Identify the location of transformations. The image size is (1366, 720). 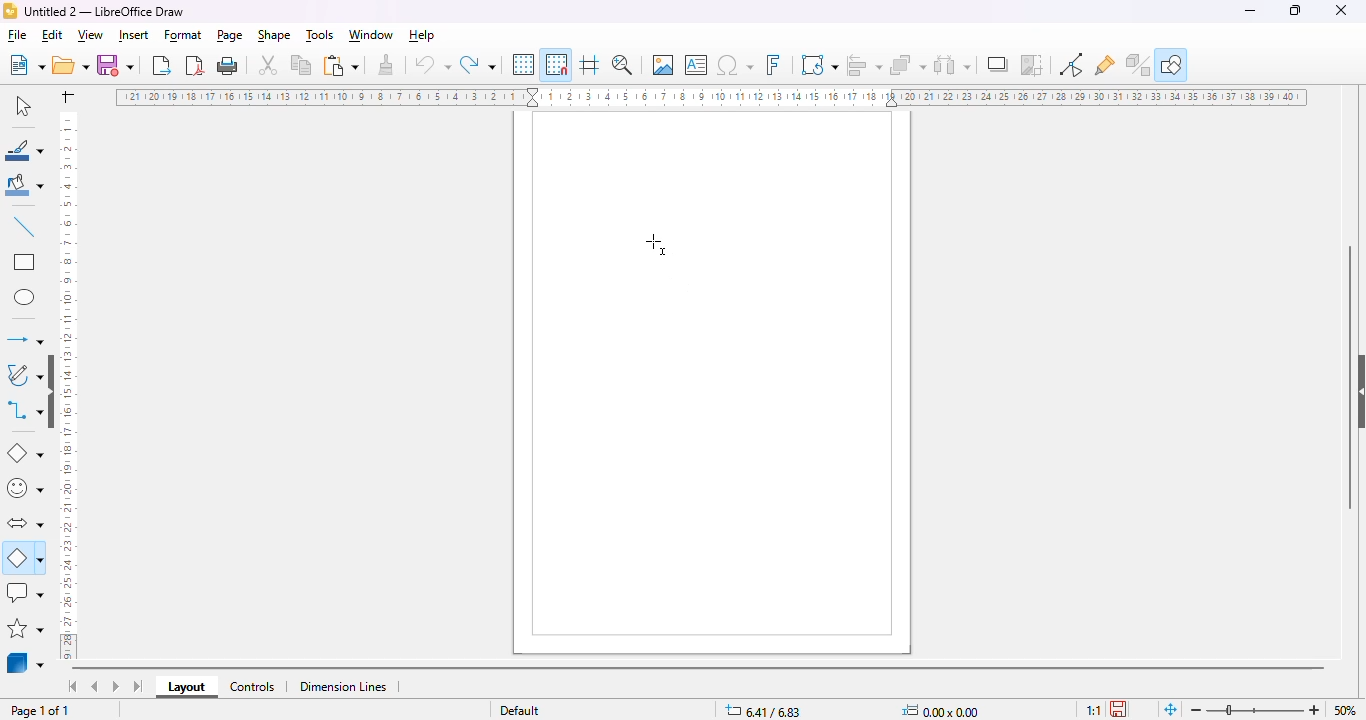
(819, 65).